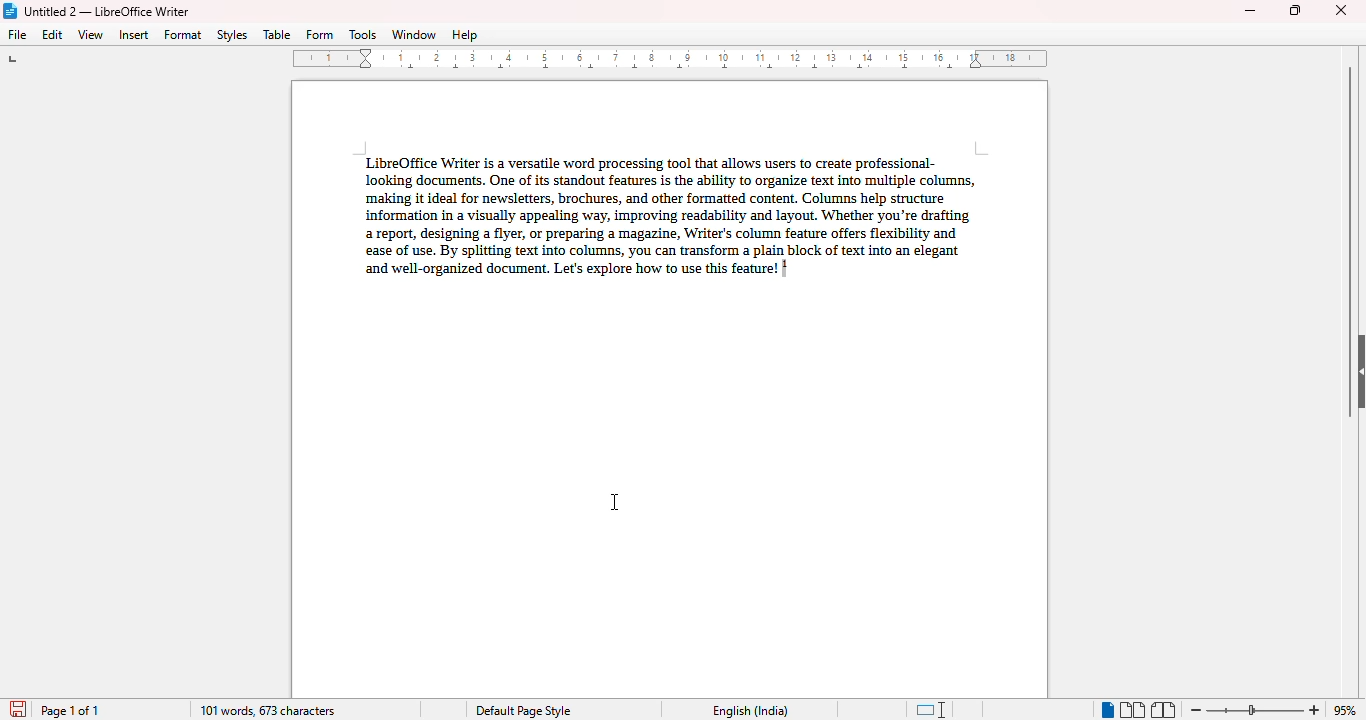 The image size is (1366, 720). Describe the element at coordinates (1357, 371) in the screenshot. I see `show` at that location.